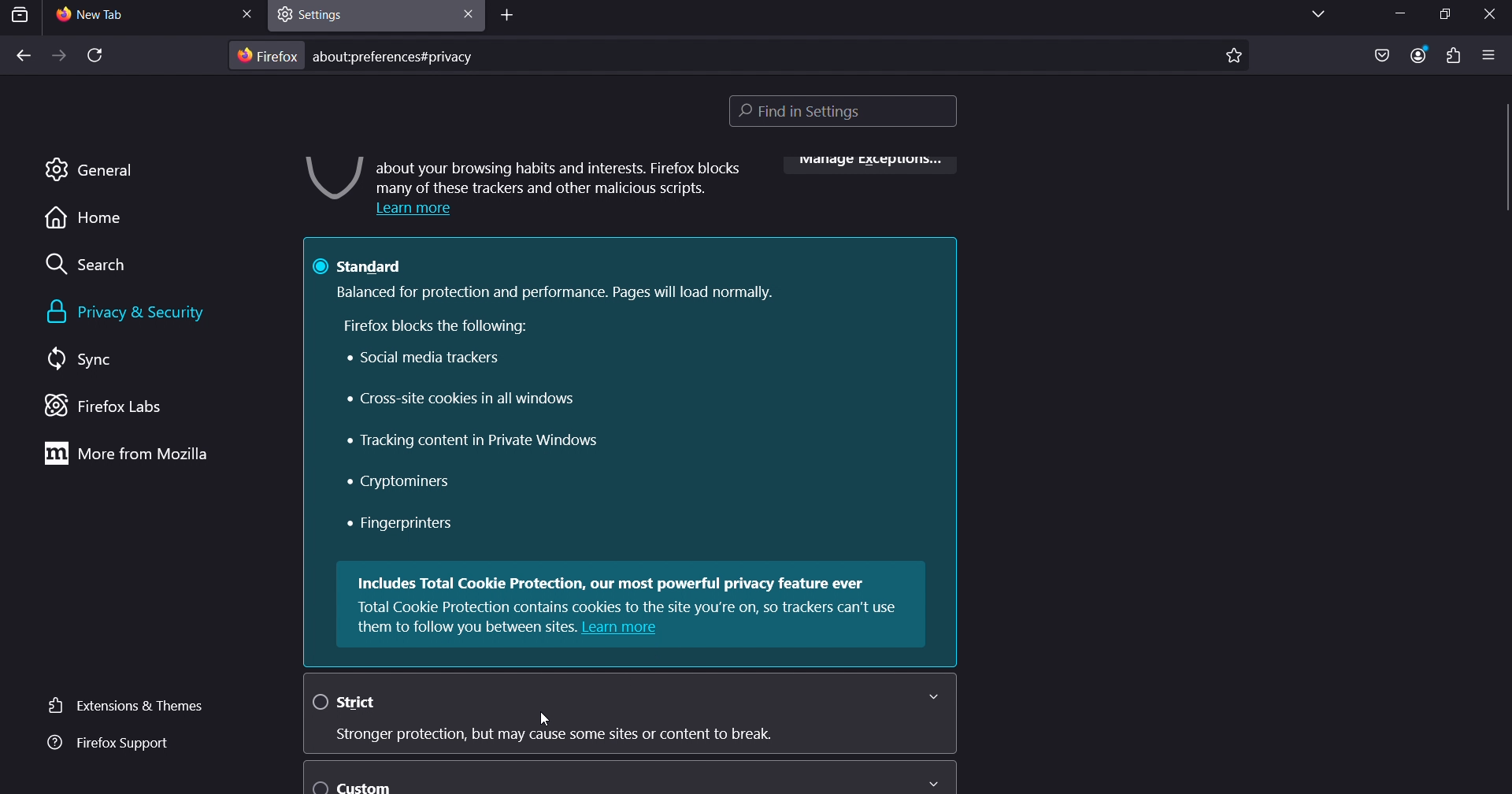 The image size is (1512, 794). Describe the element at coordinates (83, 360) in the screenshot. I see `sync` at that location.